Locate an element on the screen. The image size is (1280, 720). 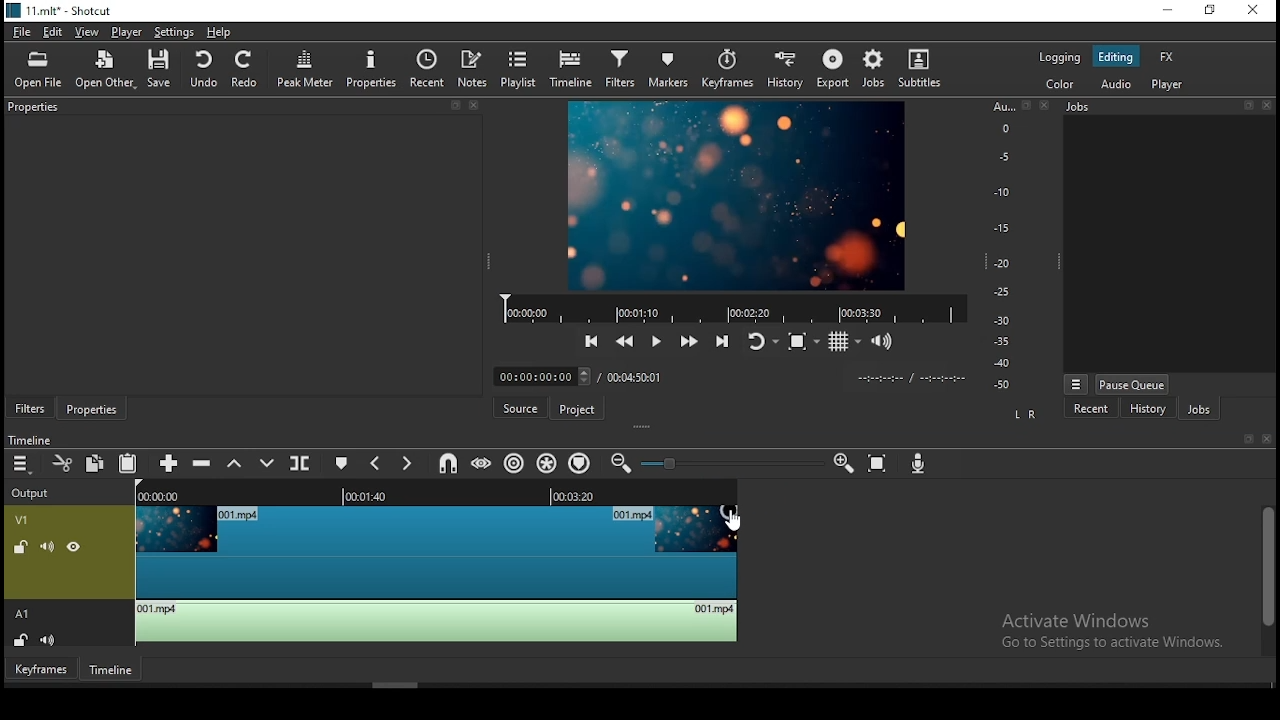
create/edit marker is located at coordinates (341, 463).